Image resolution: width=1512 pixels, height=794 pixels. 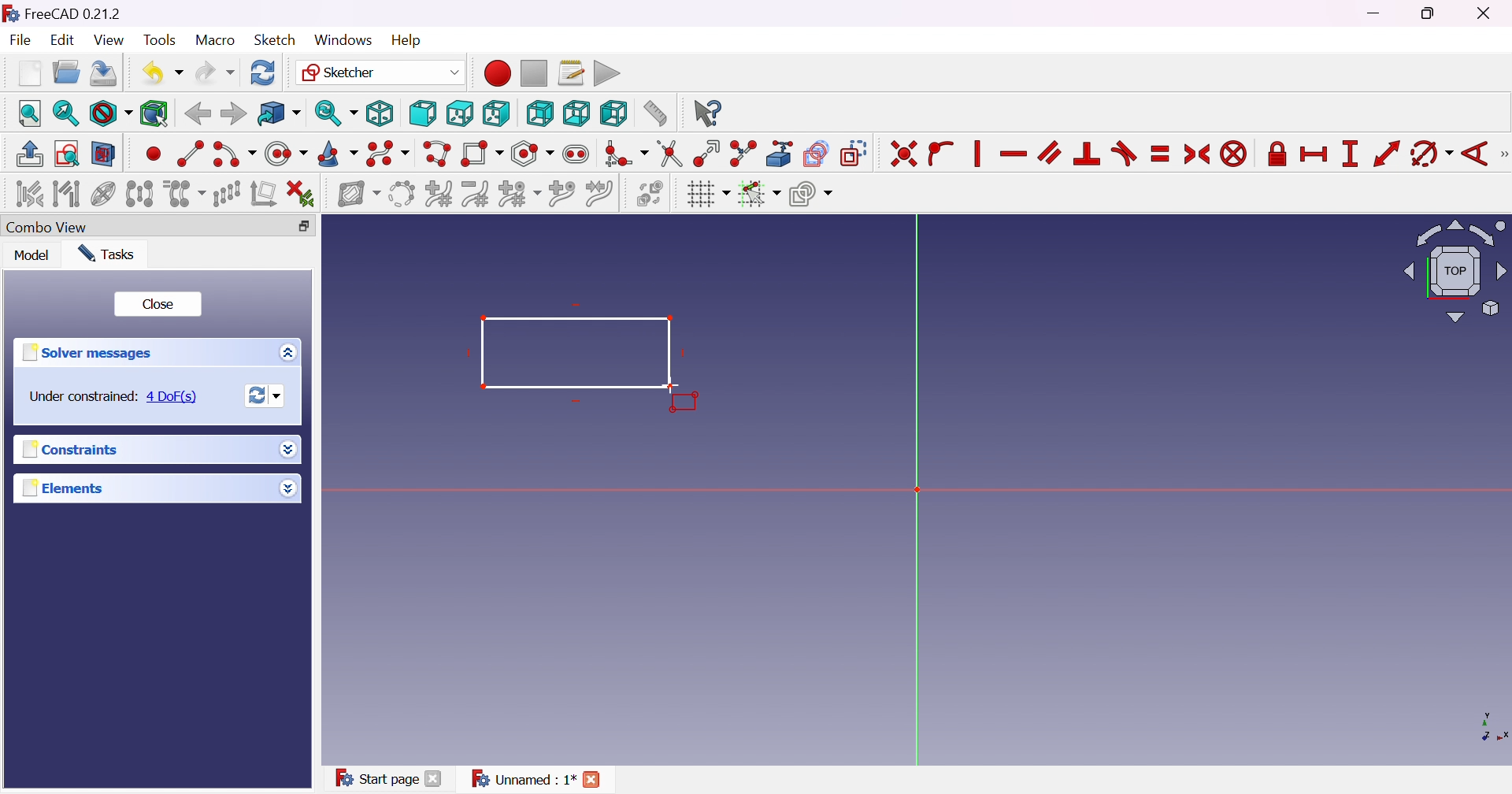 What do you see at coordinates (160, 302) in the screenshot?
I see `Close` at bounding box center [160, 302].